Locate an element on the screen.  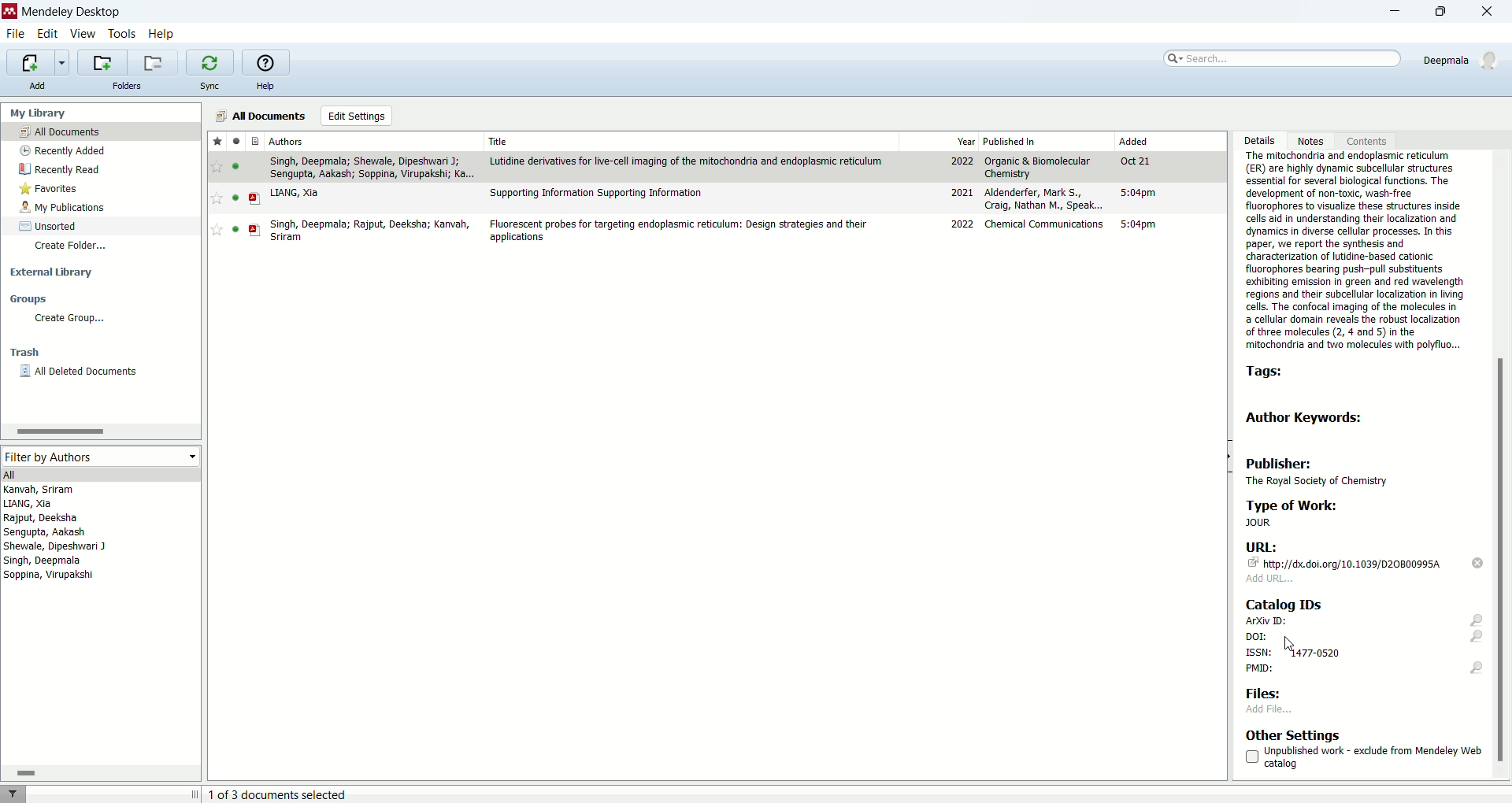
imports is located at coordinates (37, 63).